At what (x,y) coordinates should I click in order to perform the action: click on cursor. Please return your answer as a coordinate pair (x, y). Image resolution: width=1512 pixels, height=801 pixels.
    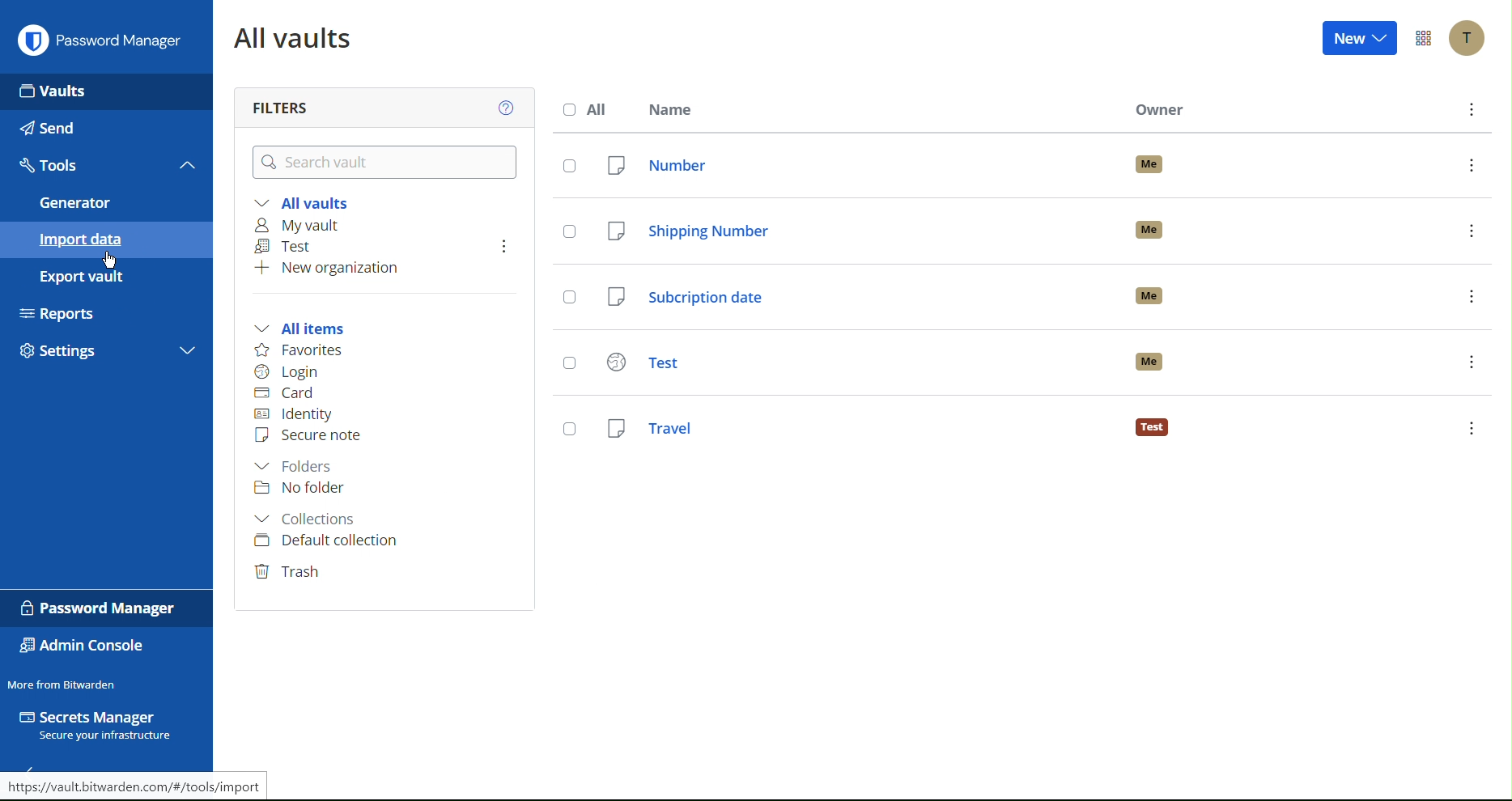
    Looking at the image, I should click on (108, 261).